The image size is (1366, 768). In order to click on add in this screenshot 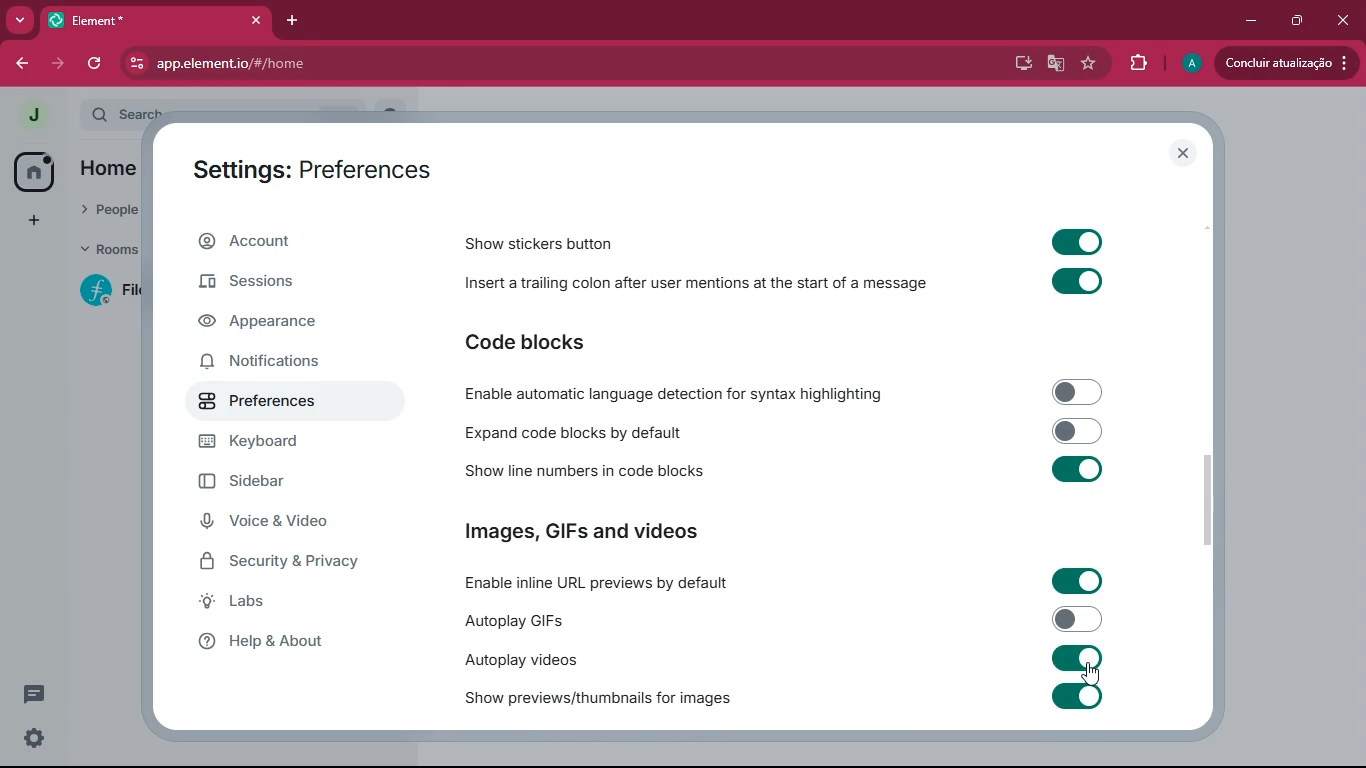, I will do `click(30, 221)`.